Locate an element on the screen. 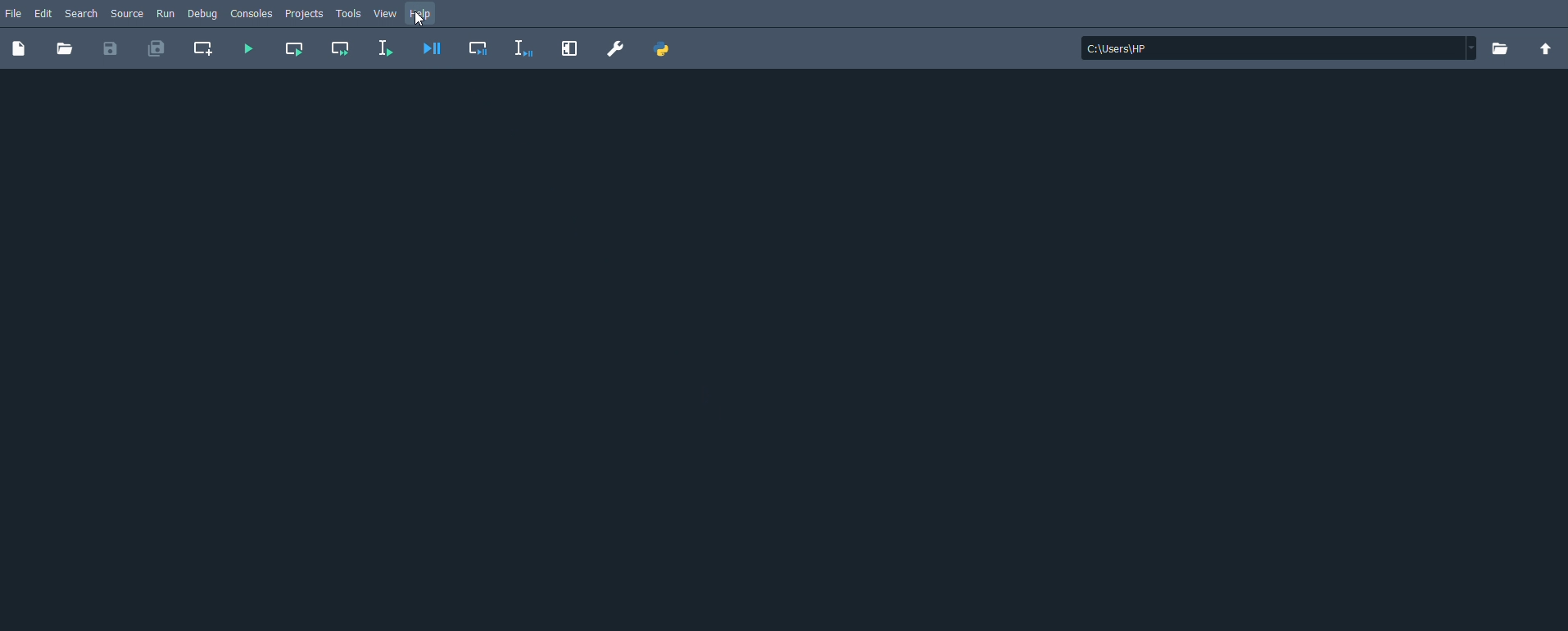 This screenshot has width=1568, height=631. Save all files is located at coordinates (158, 49).